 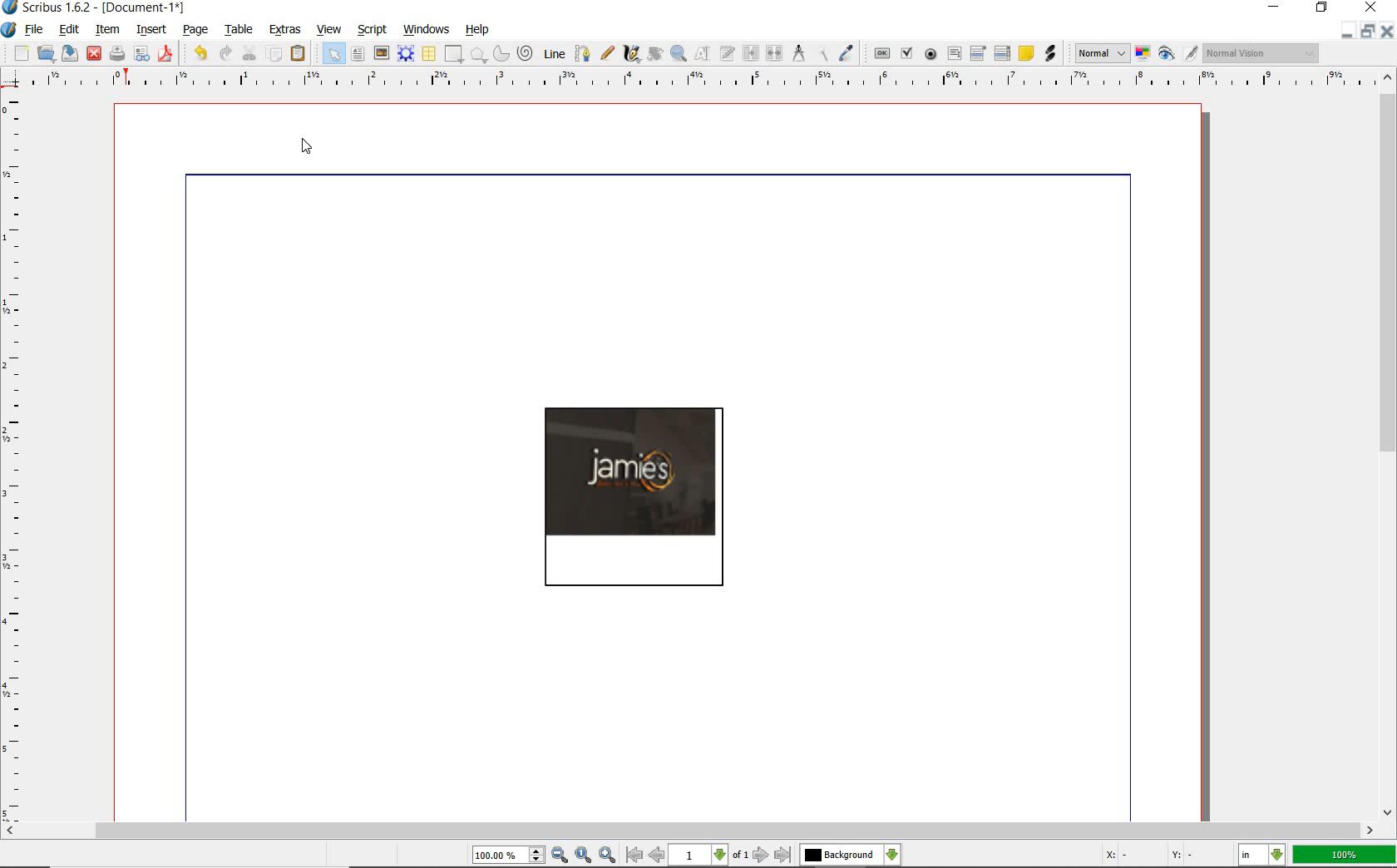 I want to click on Last Page, so click(x=783, y=856).